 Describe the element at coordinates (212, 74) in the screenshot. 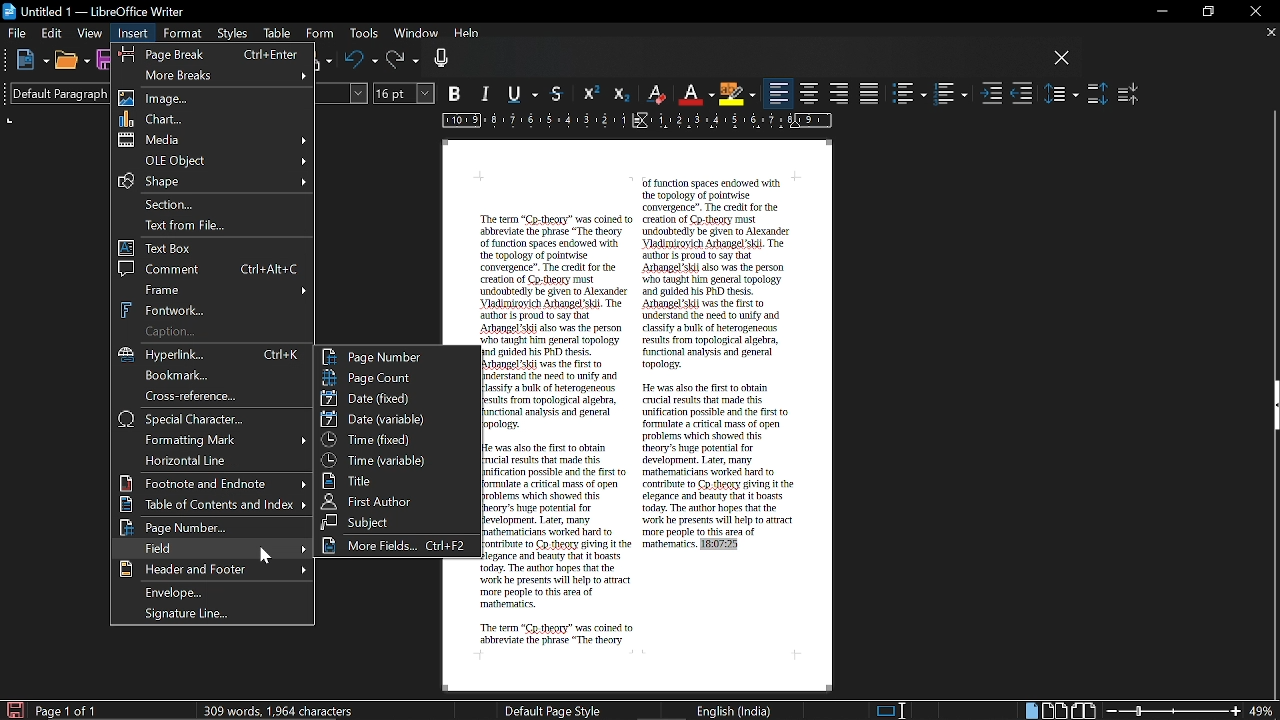

I see `More breaks` at that location.